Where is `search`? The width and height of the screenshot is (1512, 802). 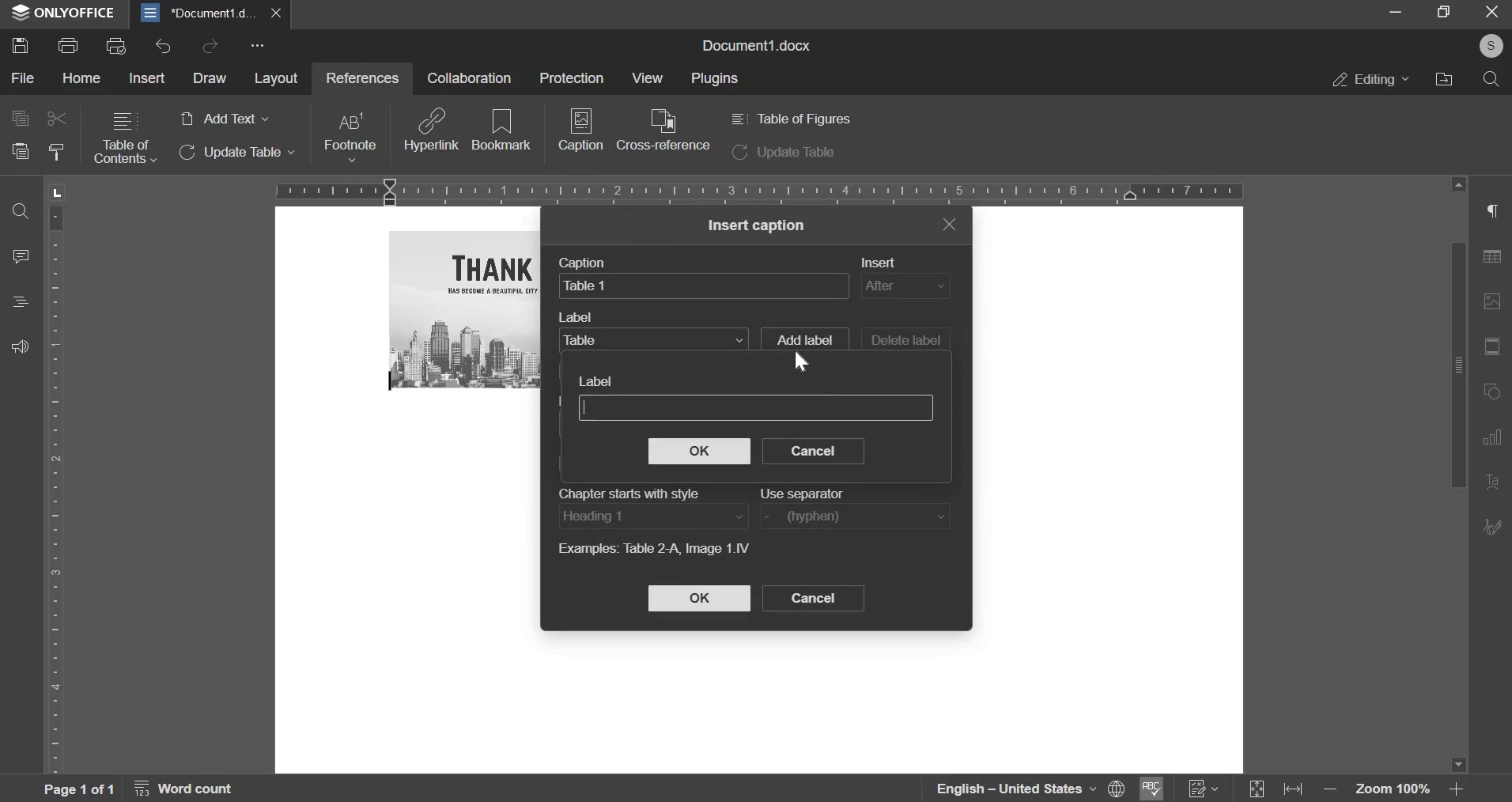
search is located at coordinates (1491, 79).